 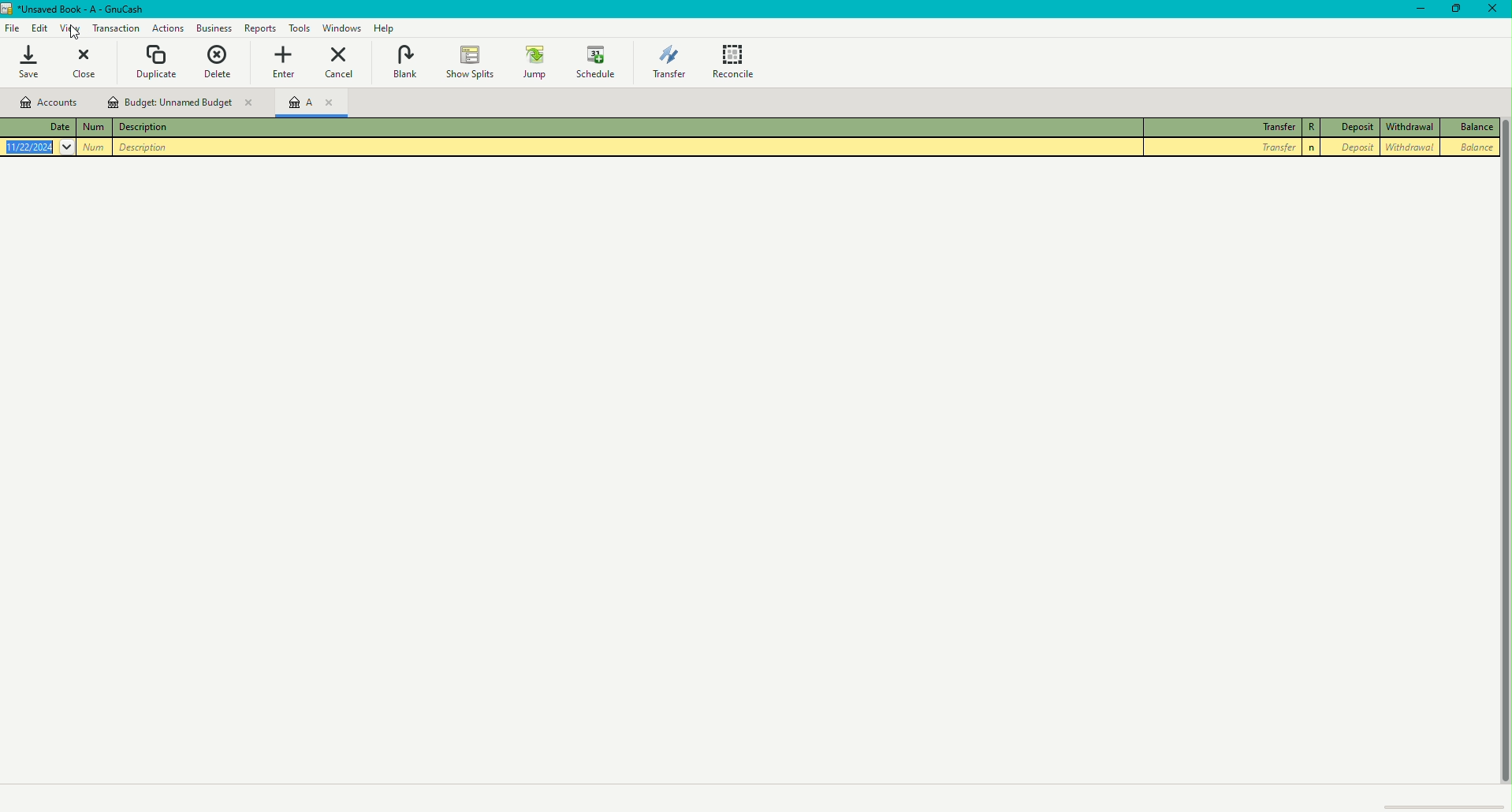 What do you see at coordinates (404, 63) in the screenshot?
I see `Blank` at bounding box center [404, 63].